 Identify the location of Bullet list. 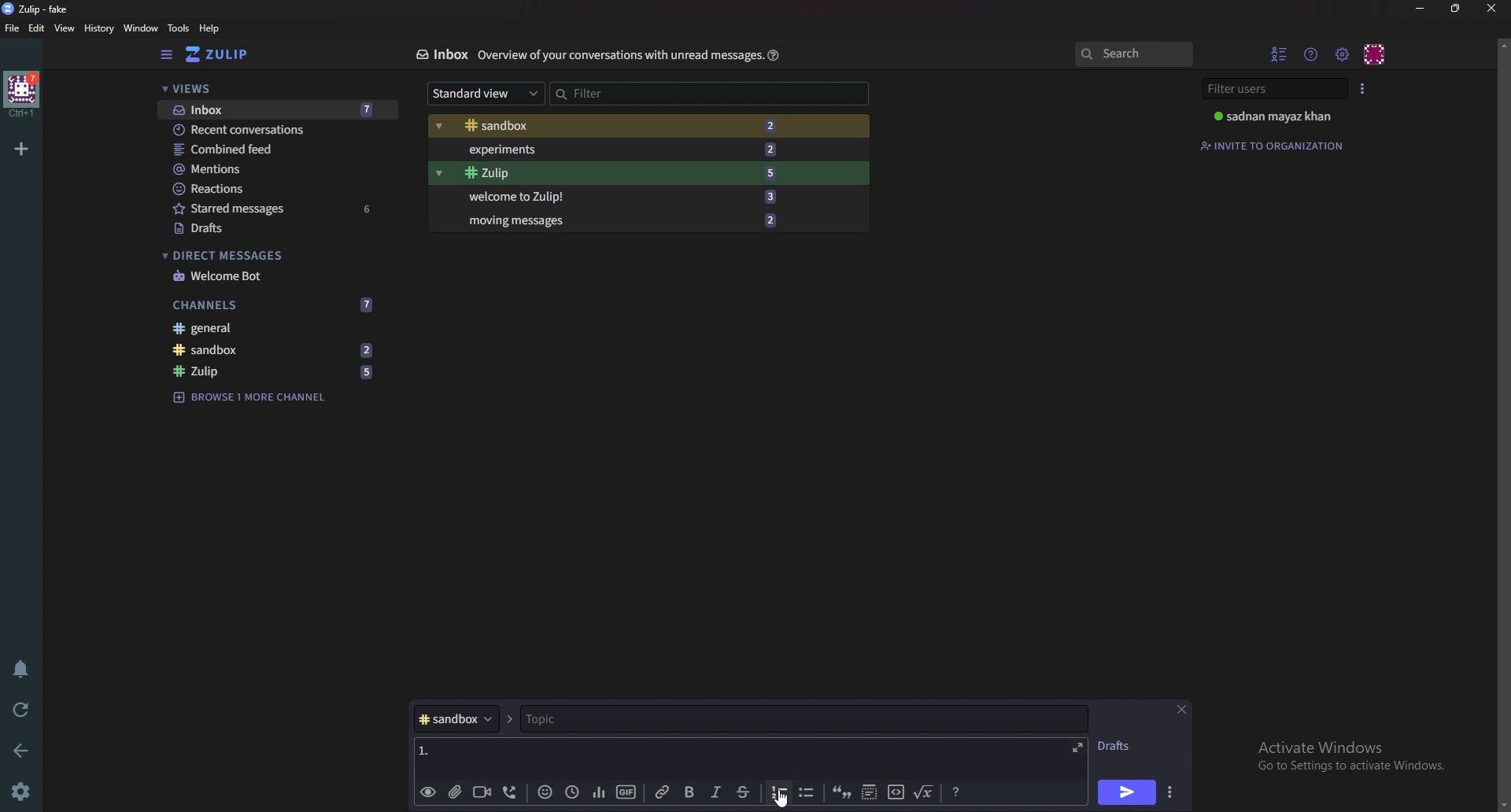
(806, 793).